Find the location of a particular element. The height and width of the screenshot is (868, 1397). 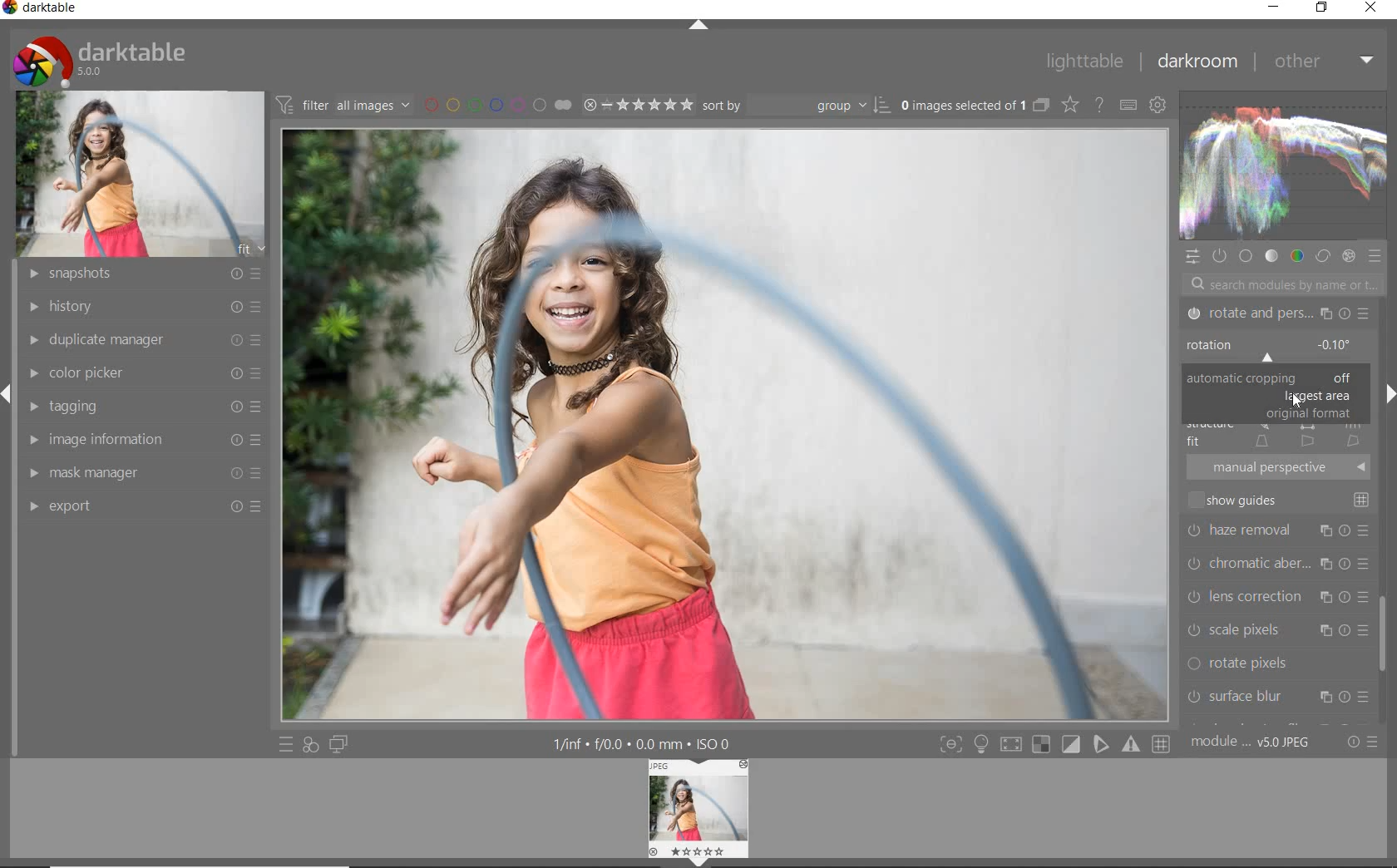

close is located at coordinates (1372, 7).